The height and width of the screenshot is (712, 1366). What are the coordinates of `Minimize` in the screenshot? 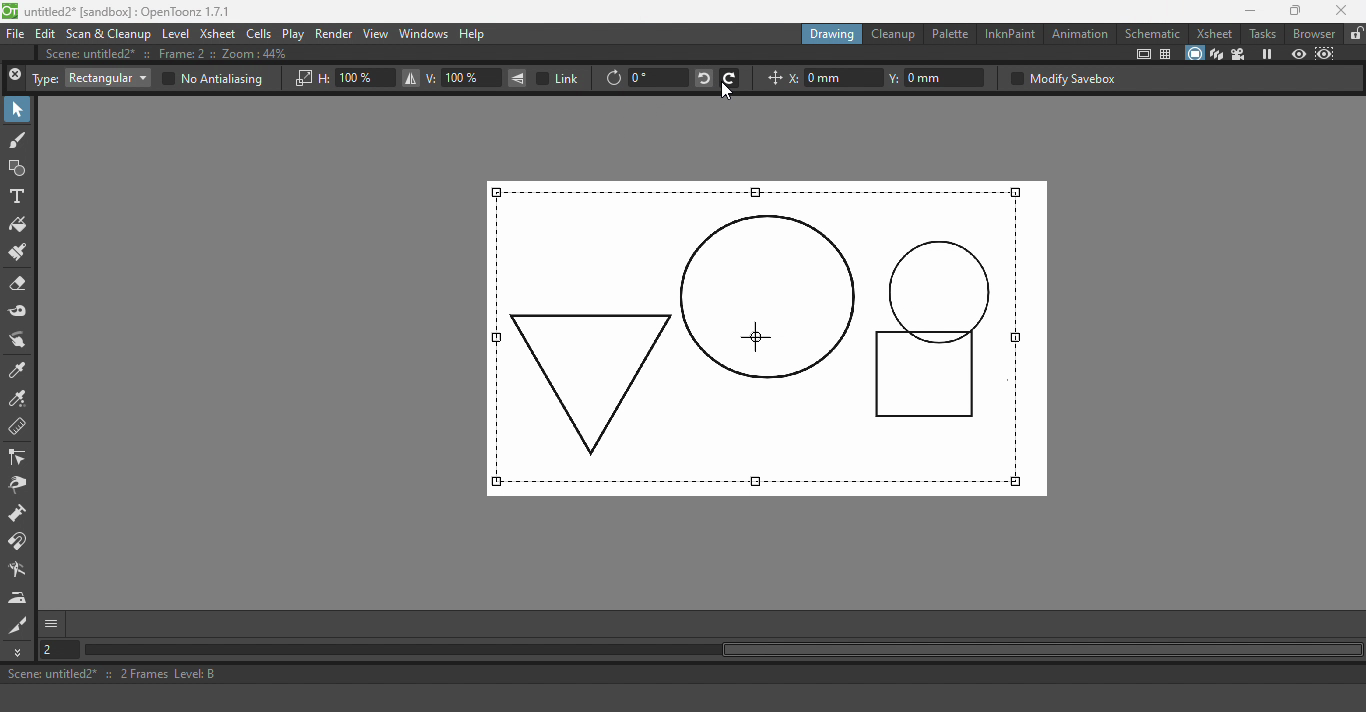 It's located at (1243, 11).